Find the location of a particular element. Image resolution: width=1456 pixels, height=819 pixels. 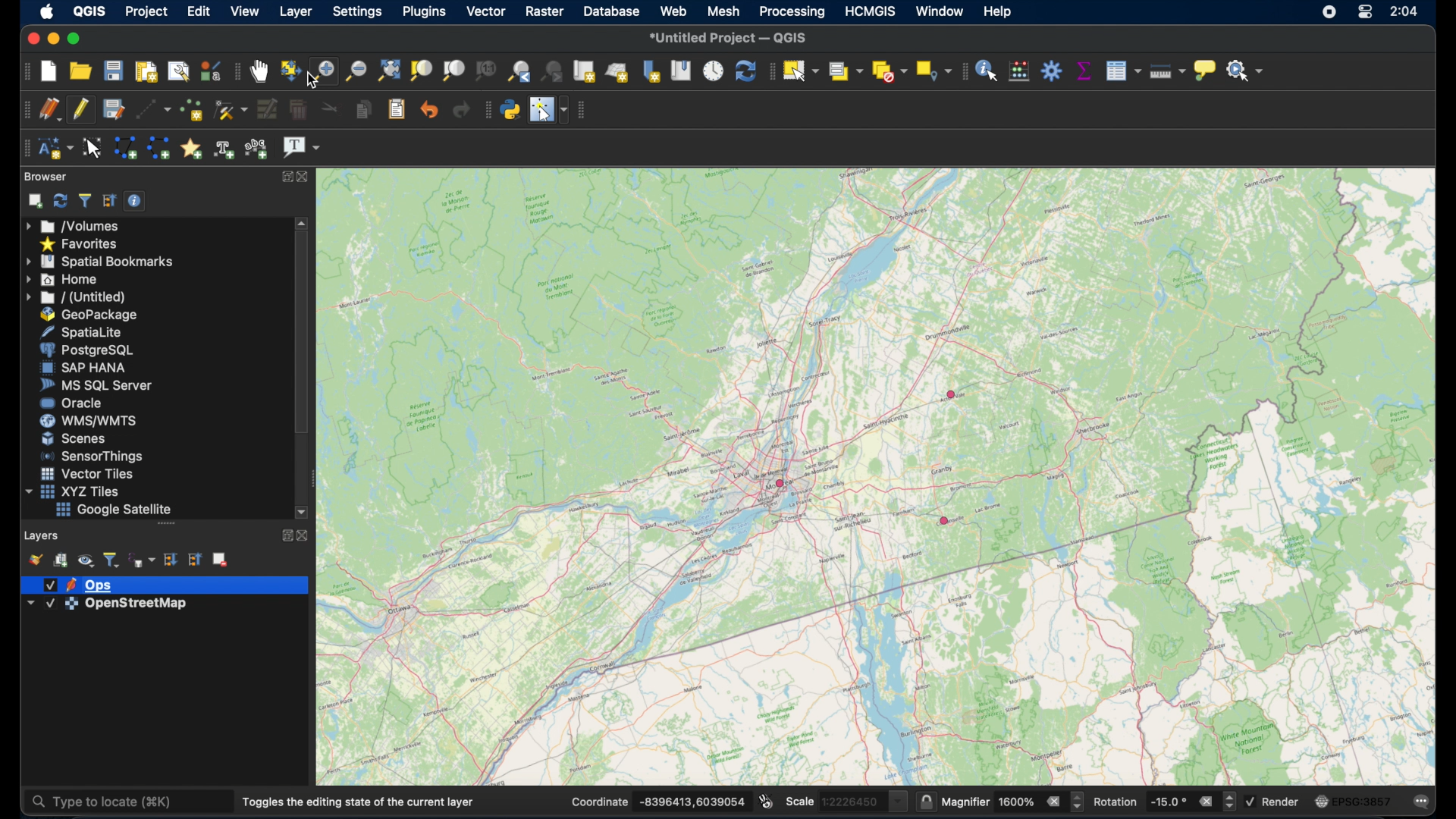

digitize with segment is located at coordinates (149, 110).